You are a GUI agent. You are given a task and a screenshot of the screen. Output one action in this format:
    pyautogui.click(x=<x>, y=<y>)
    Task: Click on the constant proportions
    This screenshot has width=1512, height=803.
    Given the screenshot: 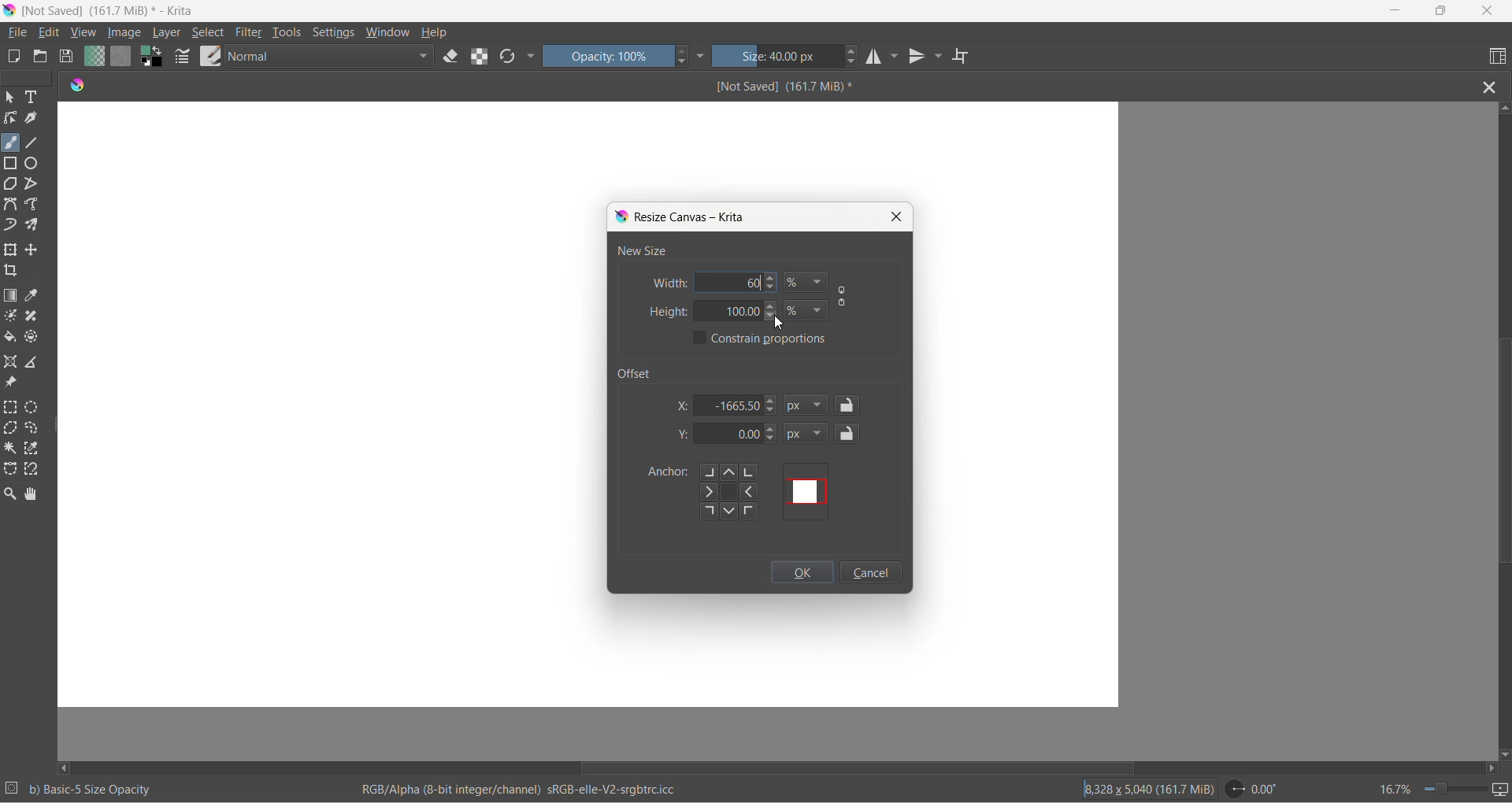 What is the action you would take?
    pyautogui.click(x=774, y=339)
    